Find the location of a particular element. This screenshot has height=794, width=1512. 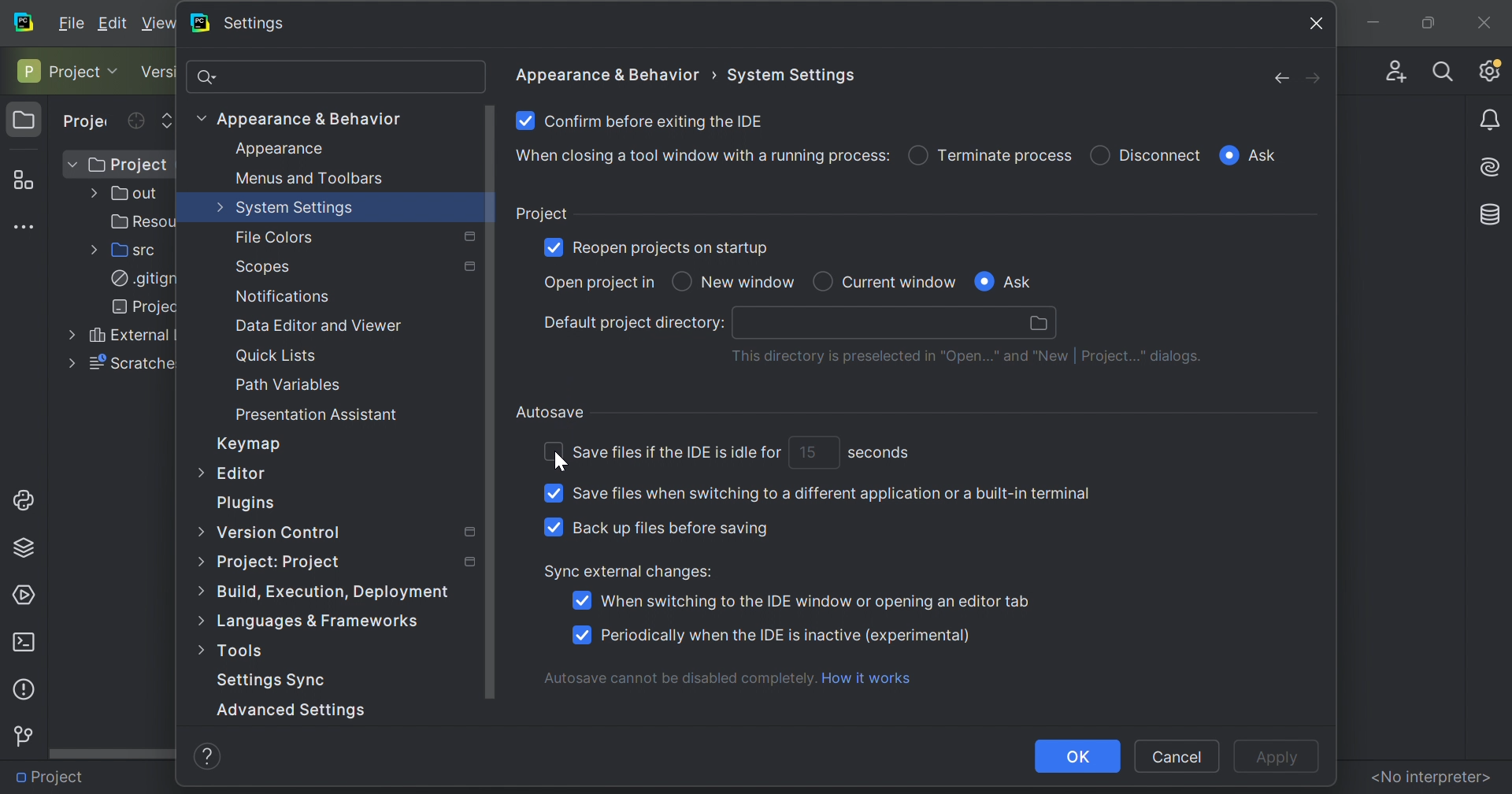

Plugins is located at coordinates (250, 503).